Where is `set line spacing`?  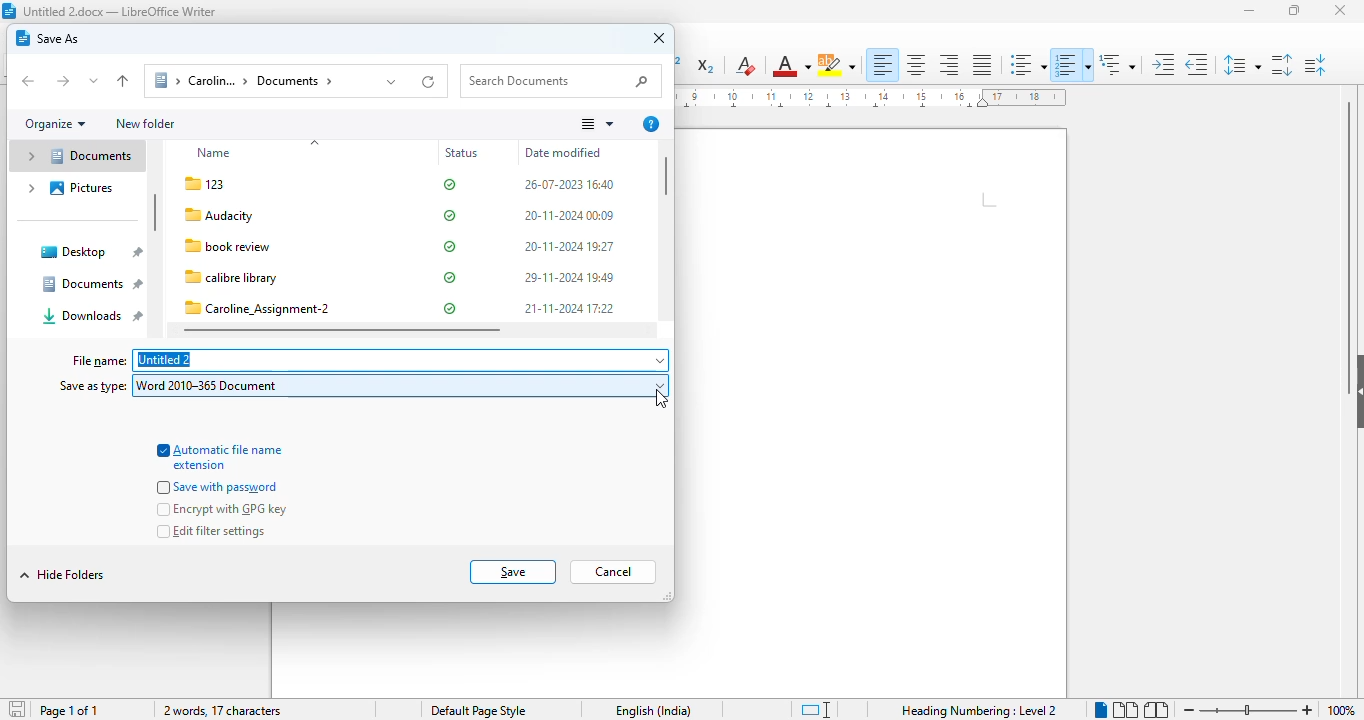 set line spacing is located at coordinates (1242, 64).